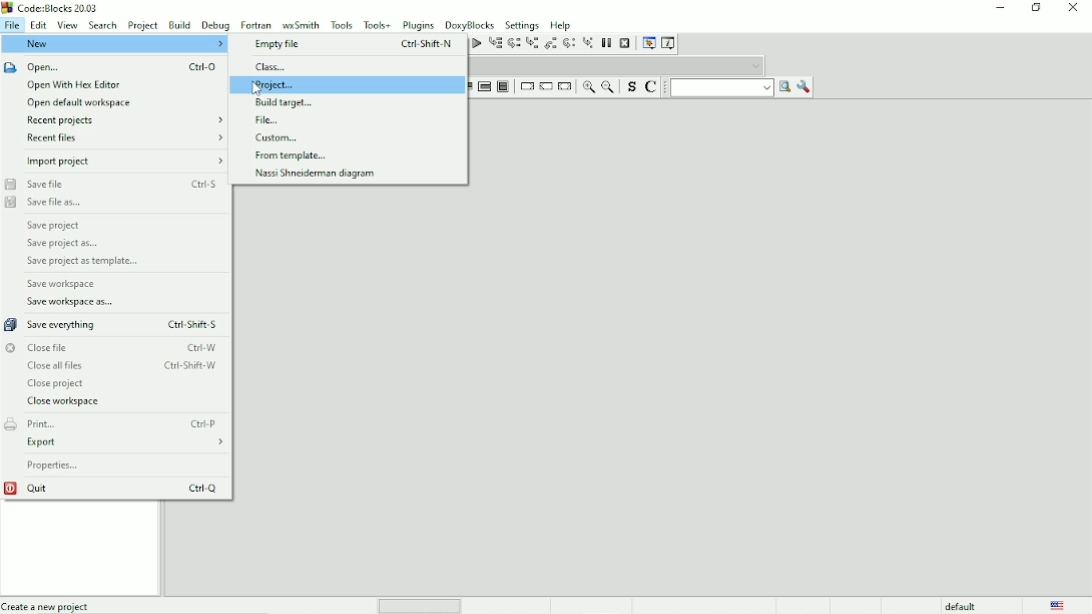 The width and height of the screenshot is (1092, 614). Describe the element at coordinates (81, 262) in the screenshot. I see `Save project as template` at that location.